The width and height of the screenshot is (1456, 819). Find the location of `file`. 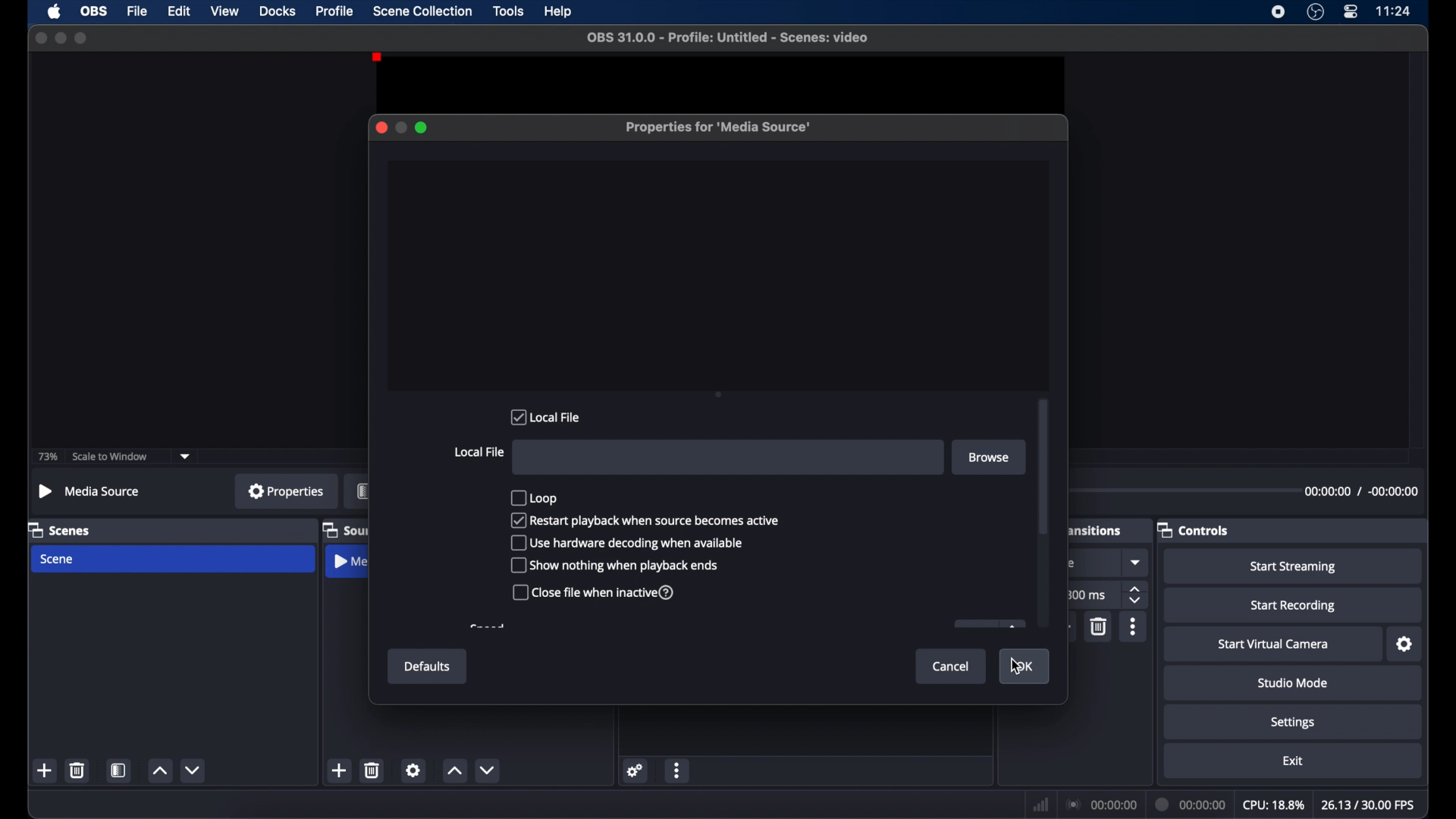

file is located at coordinates (138, 11).